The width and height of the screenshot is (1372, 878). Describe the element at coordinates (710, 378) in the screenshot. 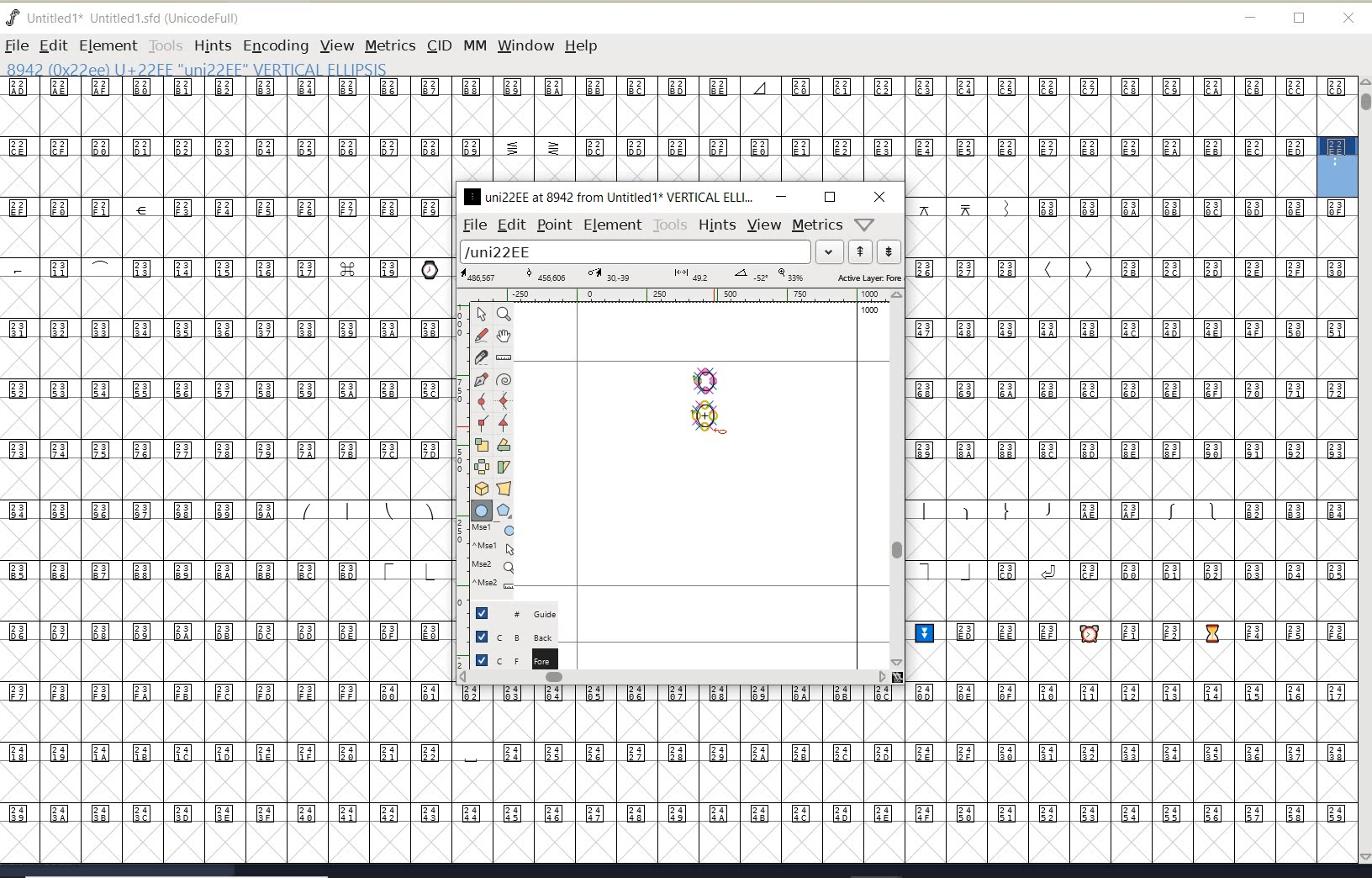

I see `a vertical ellipsis creation` at that location.